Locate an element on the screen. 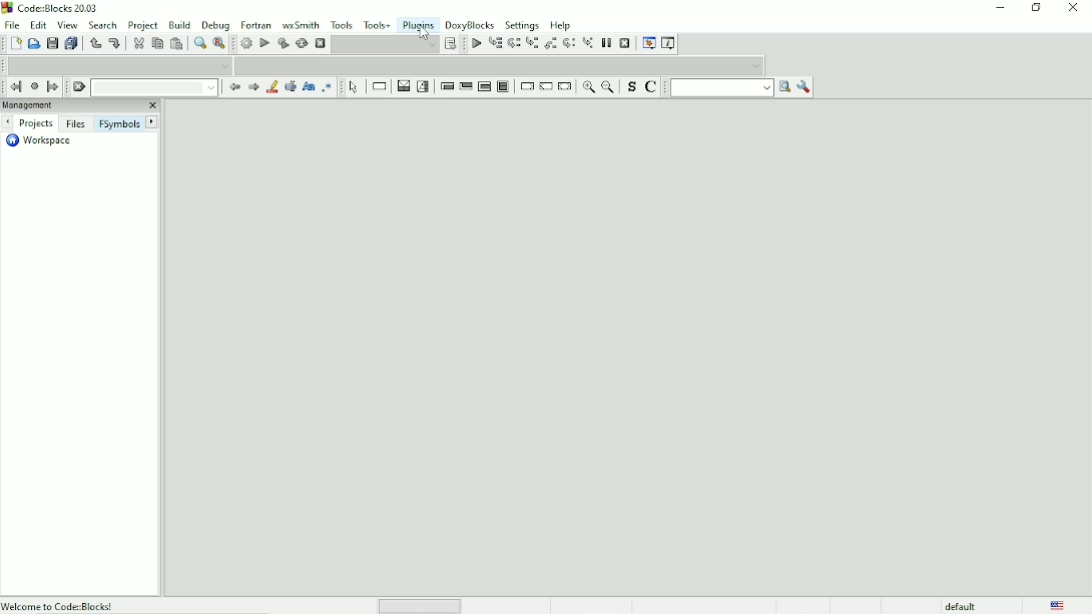 This screenshot has width=1092, height=614. Edit is located at coordinates (39, 24).